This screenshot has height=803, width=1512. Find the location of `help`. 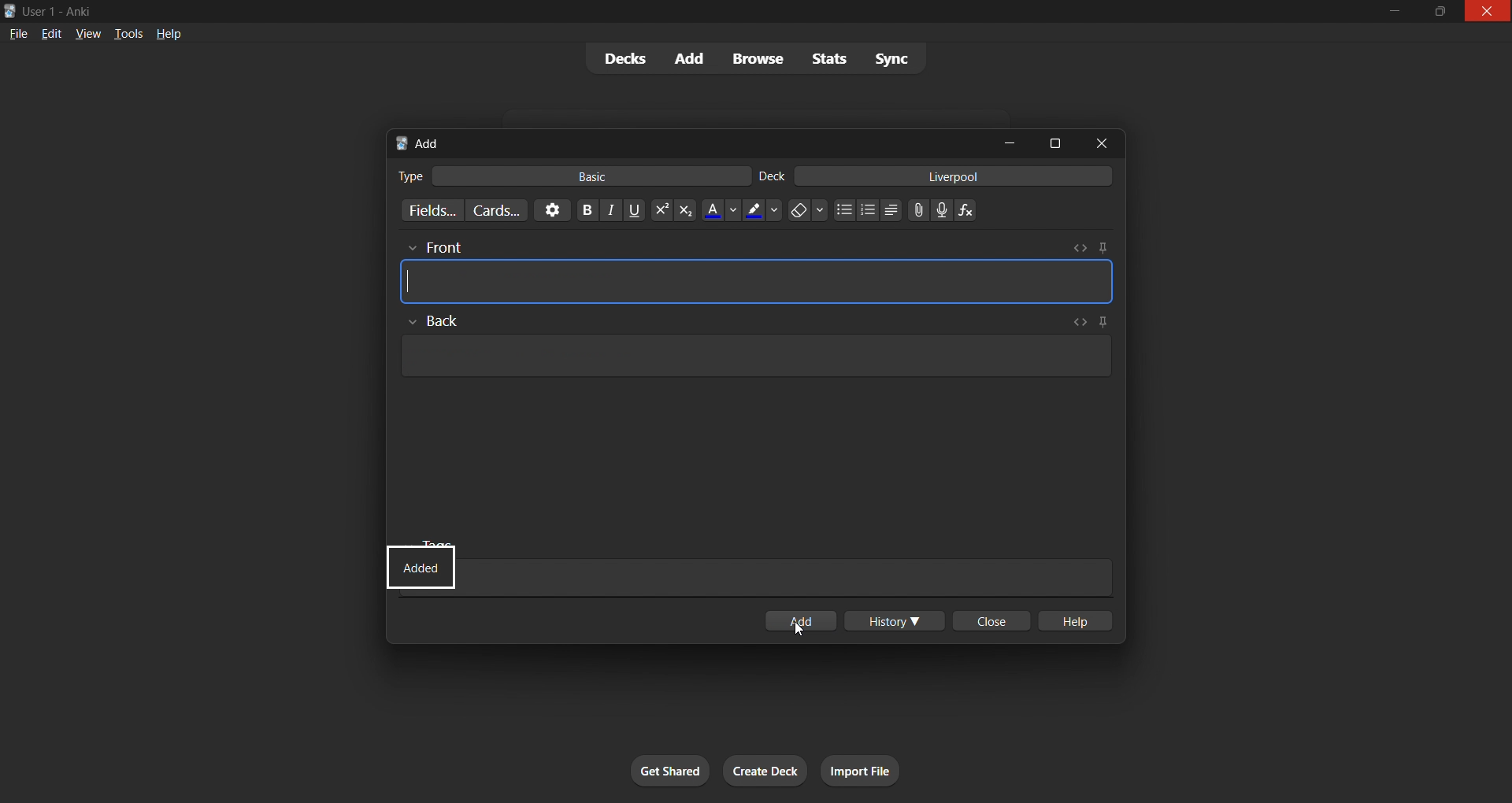

help is located at coordinates (167, 31).